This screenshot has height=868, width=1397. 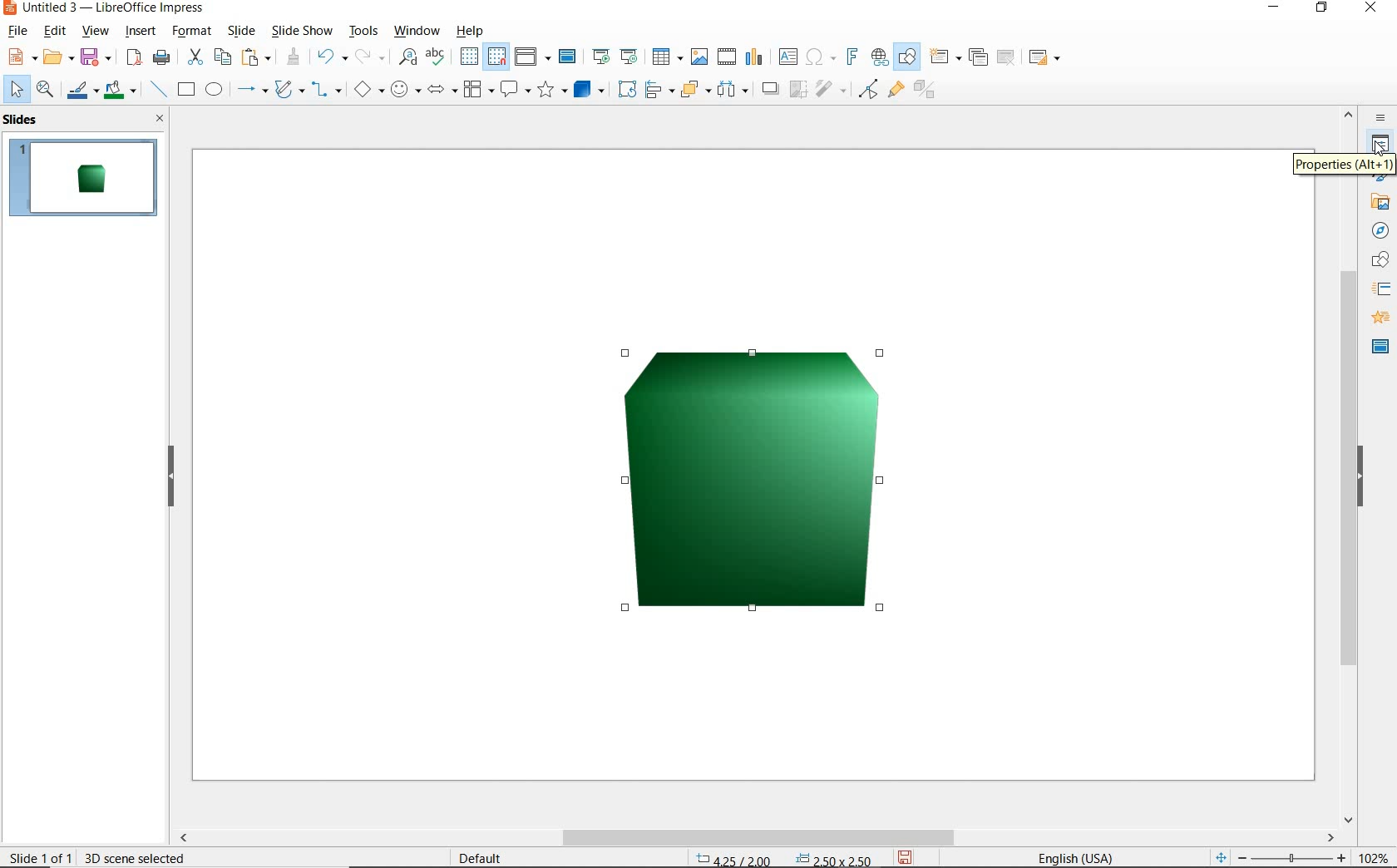 I want to click on select, so click(x=16, y=90).